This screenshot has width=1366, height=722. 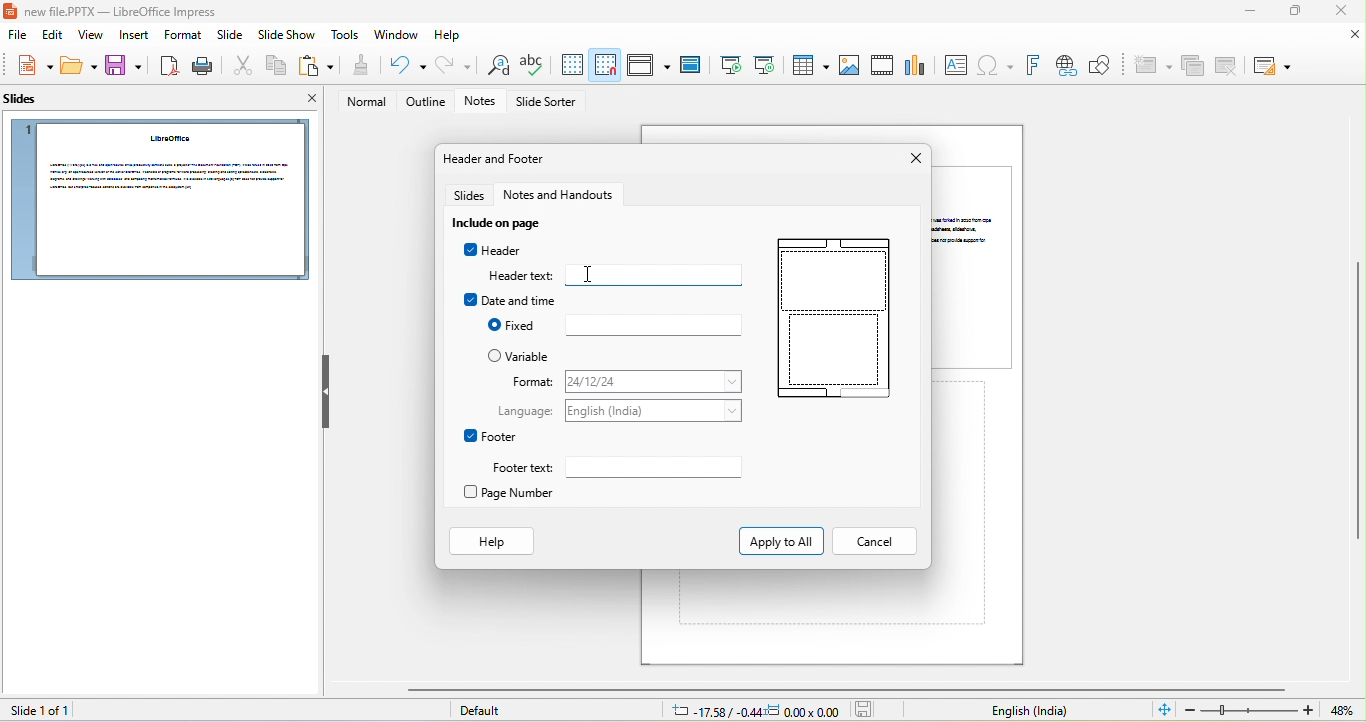 I want to click on format, so click(x=653, y=383).